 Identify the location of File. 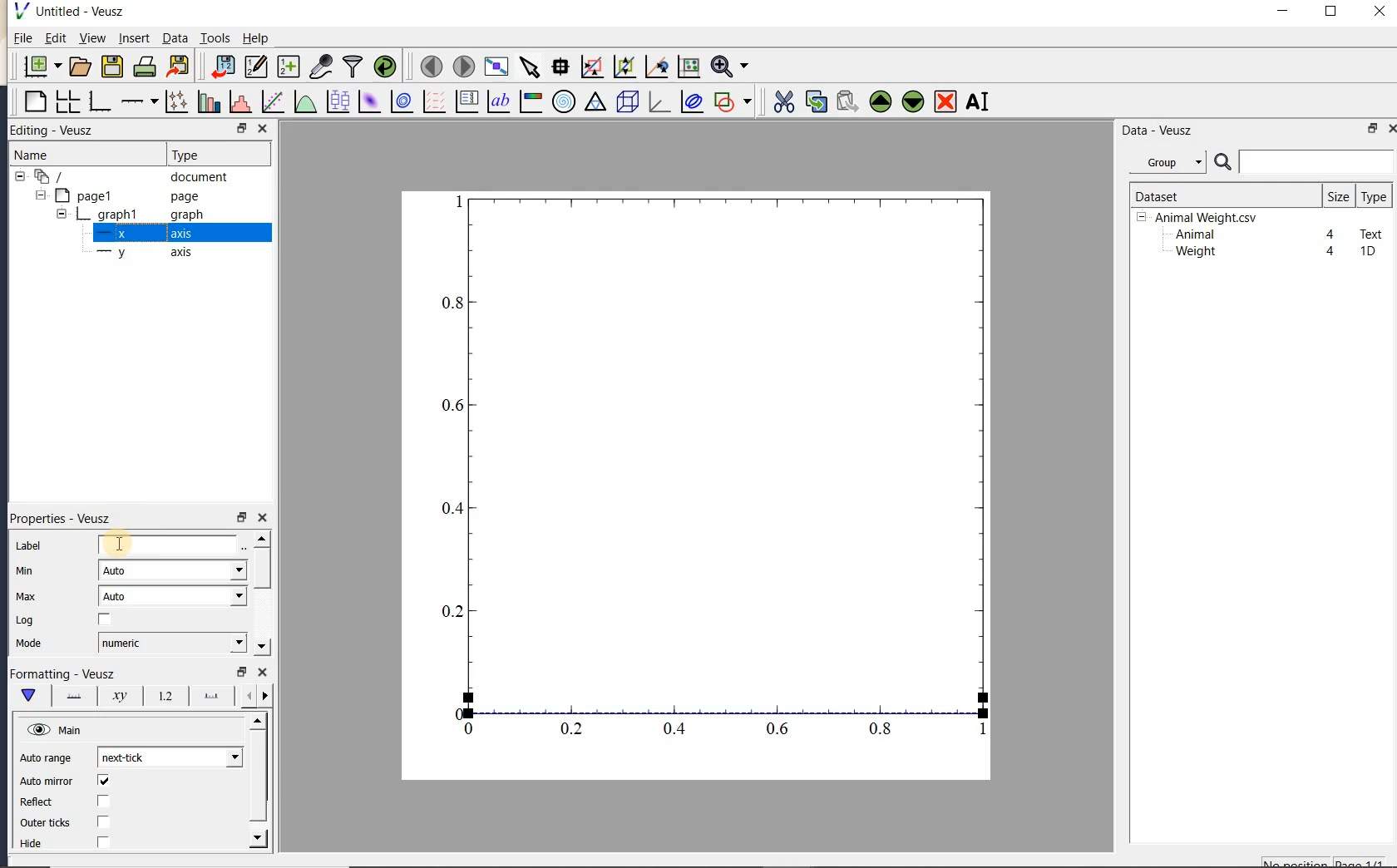
(23, 38).